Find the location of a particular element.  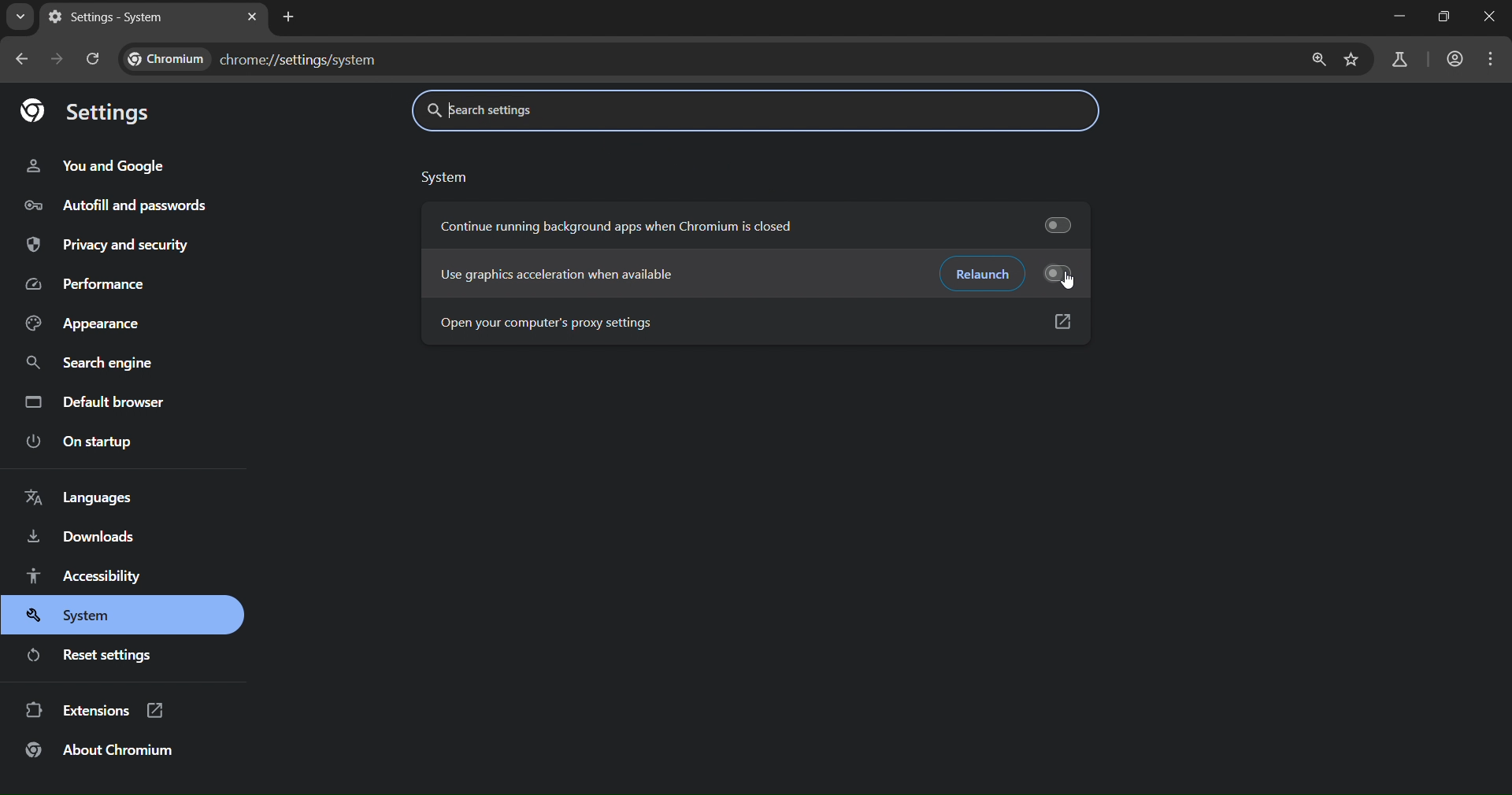

Search is located at coordinates (1313, 60).